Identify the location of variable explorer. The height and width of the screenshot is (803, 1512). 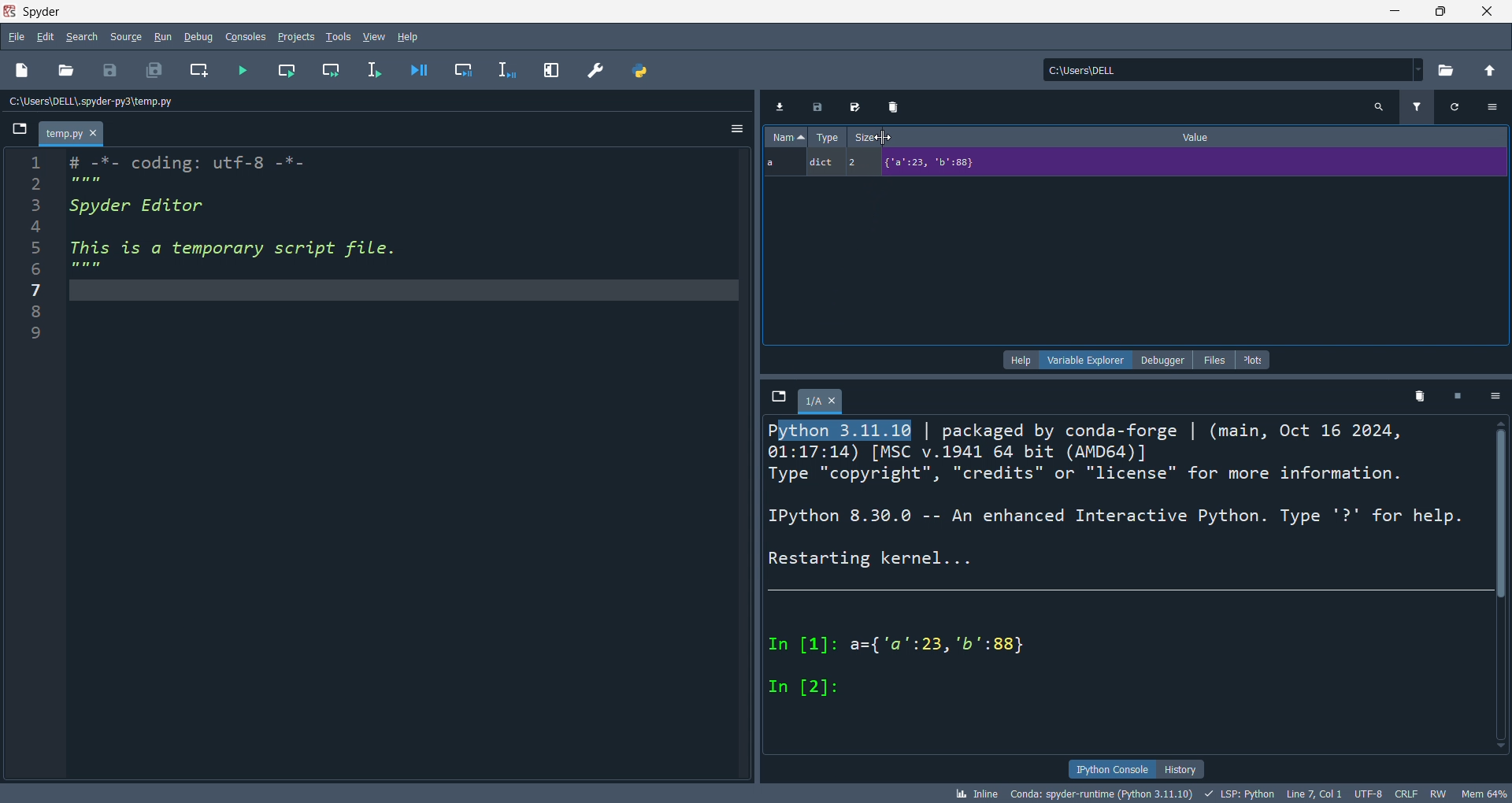
(1085, 359).